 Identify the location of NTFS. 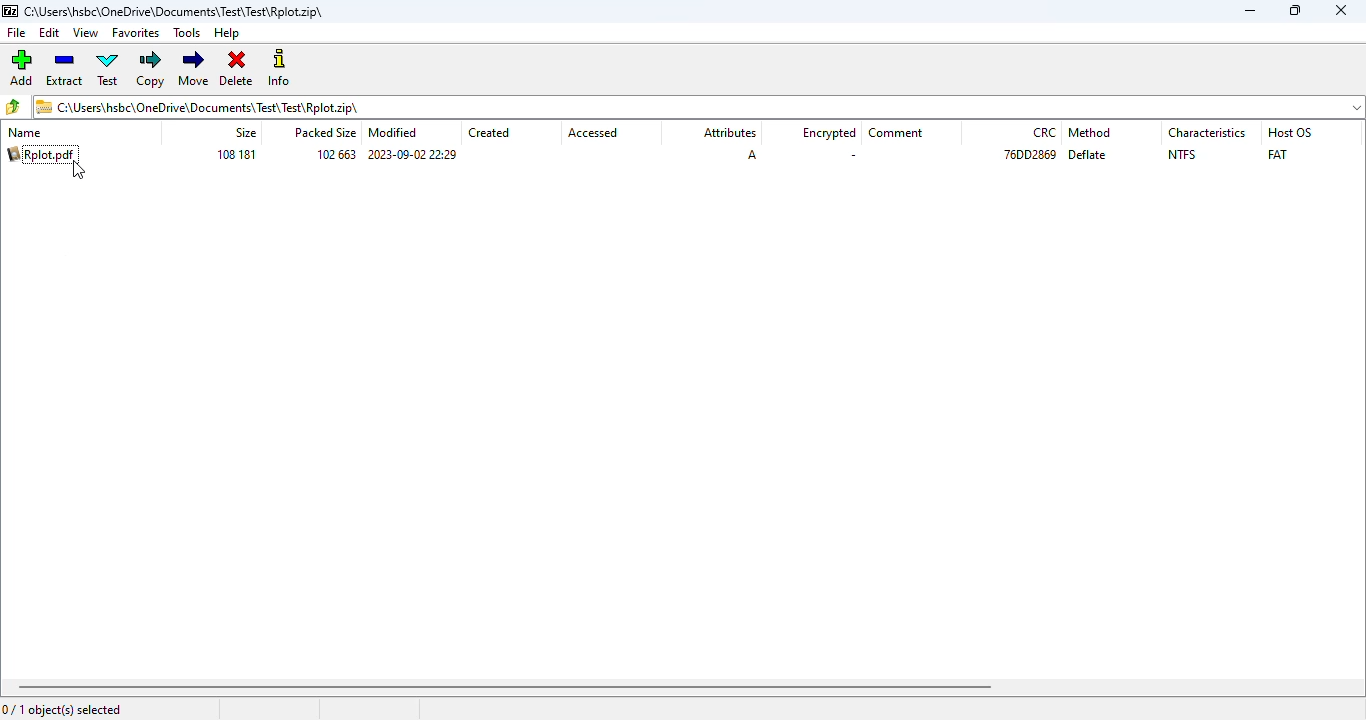
(1181, 154).